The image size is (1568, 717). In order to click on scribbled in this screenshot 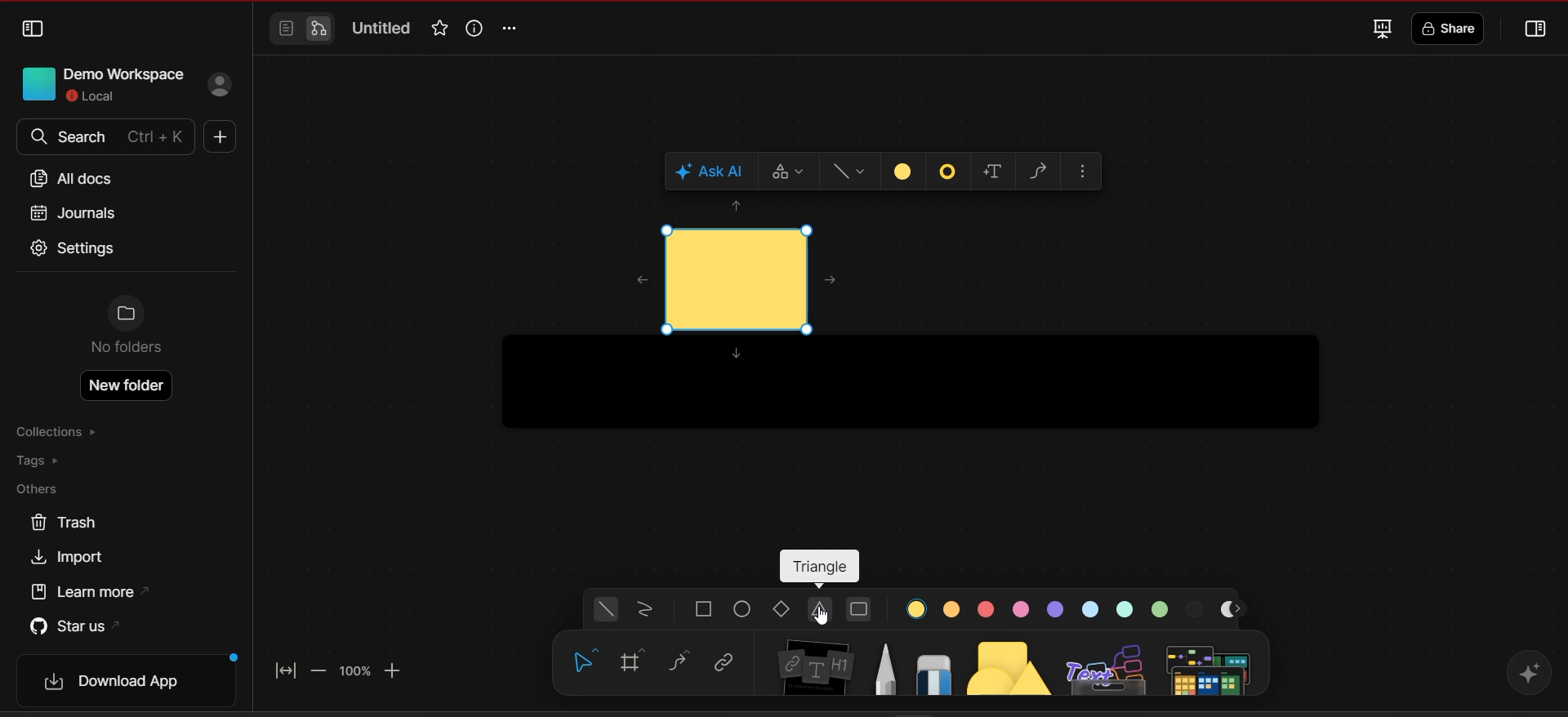, I will do `click(645, 611)`.